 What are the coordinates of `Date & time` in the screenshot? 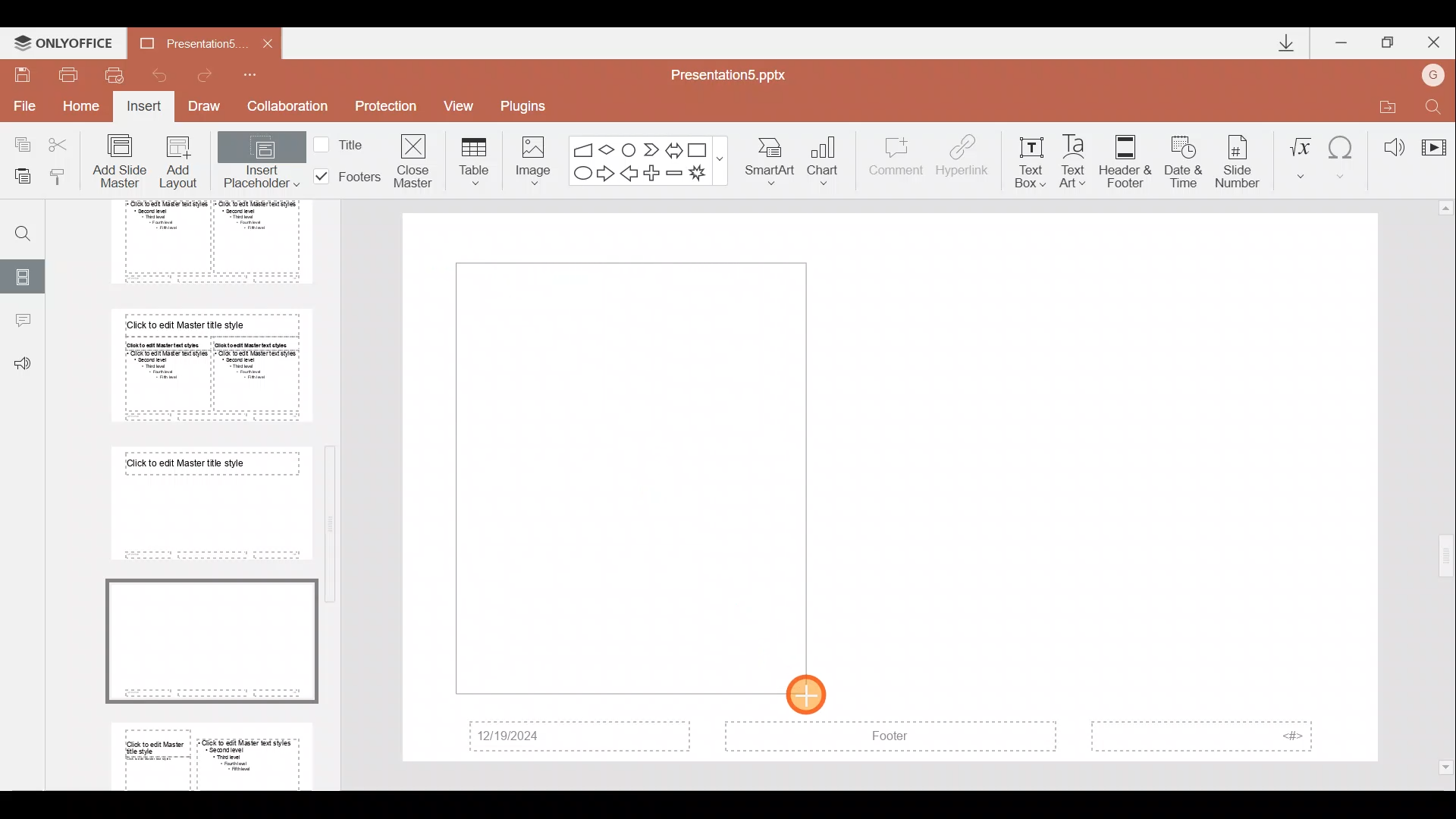 It's located at (1180, 158).